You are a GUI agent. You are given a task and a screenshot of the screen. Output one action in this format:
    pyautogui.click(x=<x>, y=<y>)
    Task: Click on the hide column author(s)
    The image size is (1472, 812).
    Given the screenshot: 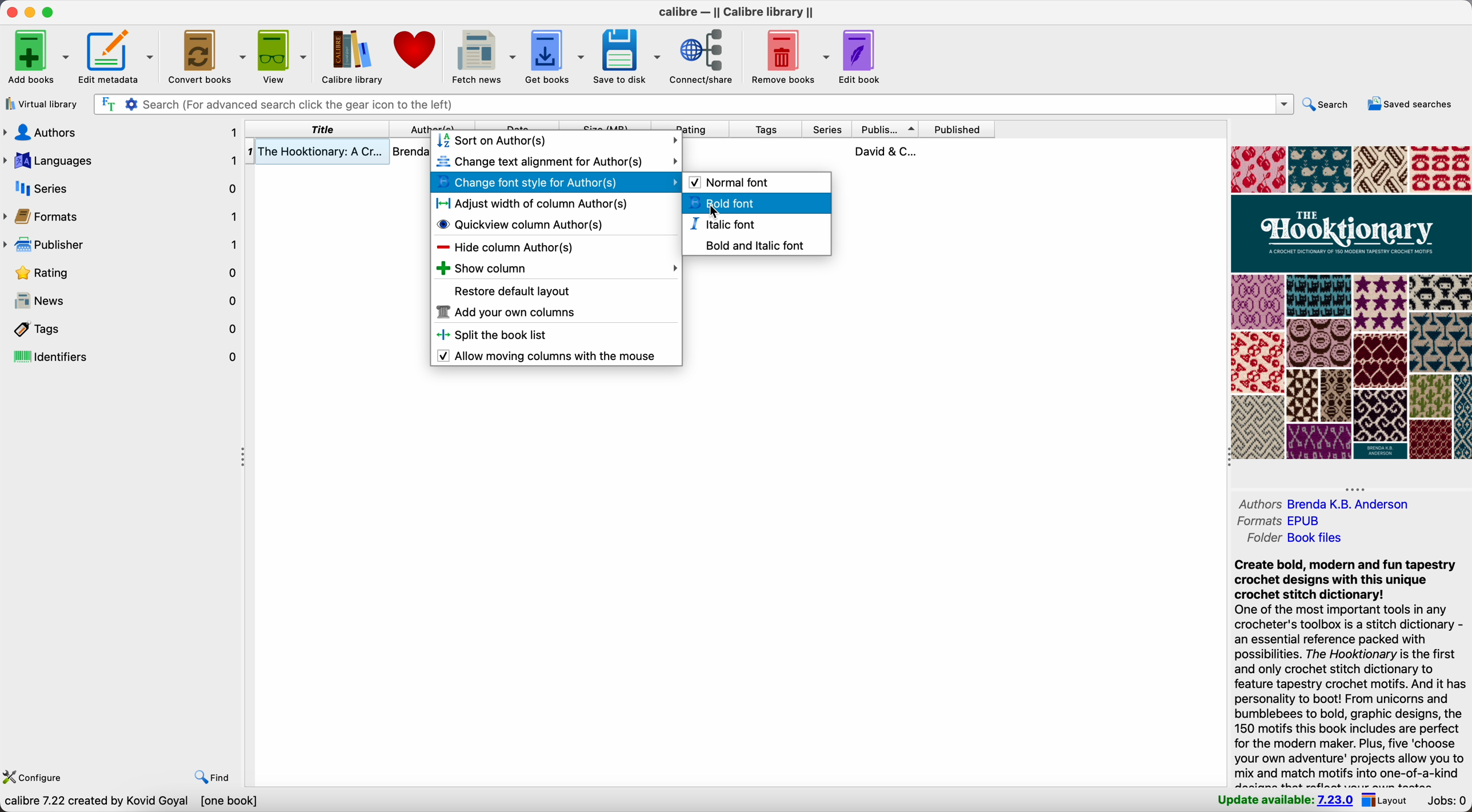 What is the action you would take?
    pyautogui.click(x=504, y=246)
    